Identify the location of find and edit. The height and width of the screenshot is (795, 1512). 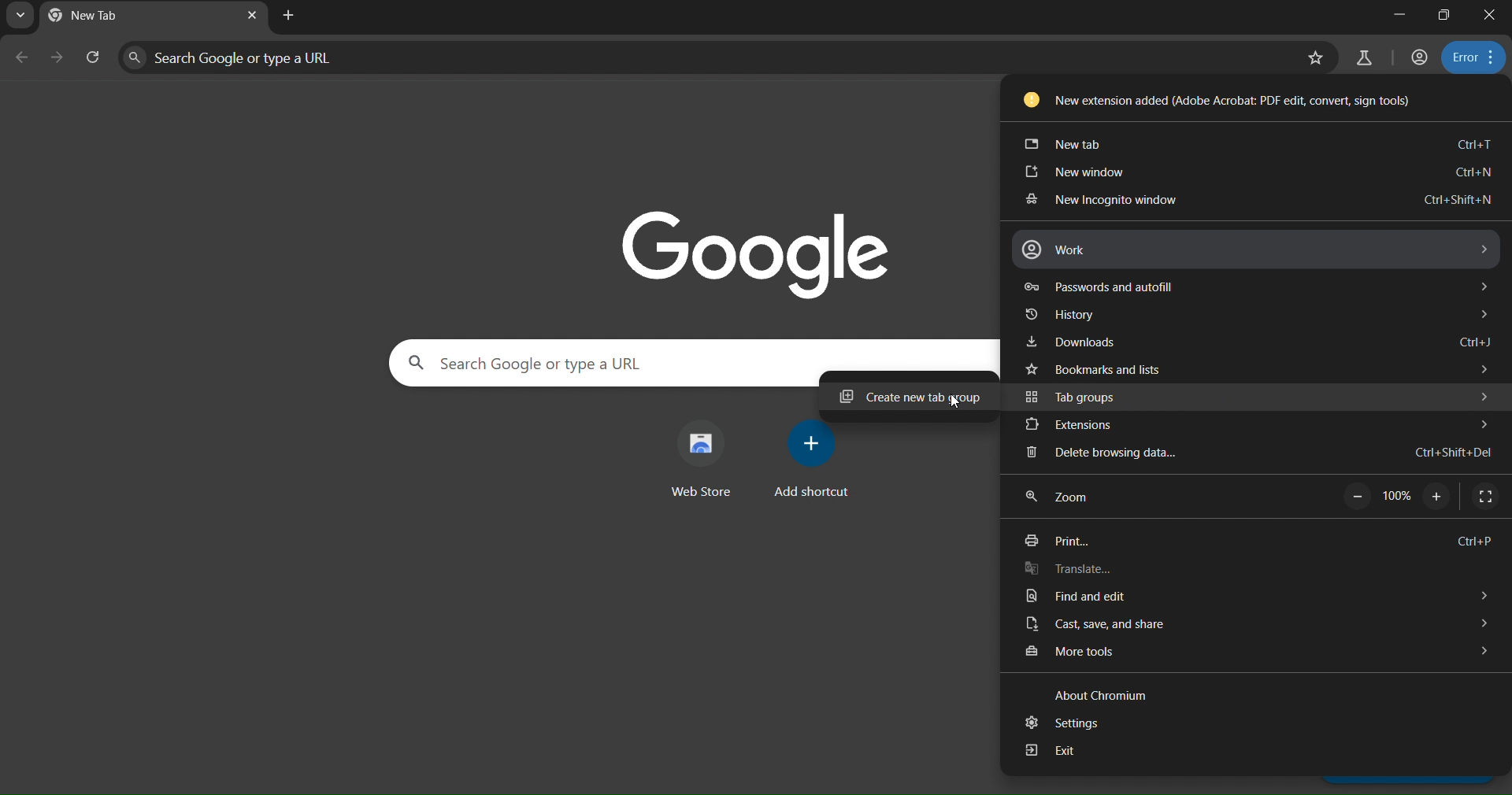
(1260, 598).